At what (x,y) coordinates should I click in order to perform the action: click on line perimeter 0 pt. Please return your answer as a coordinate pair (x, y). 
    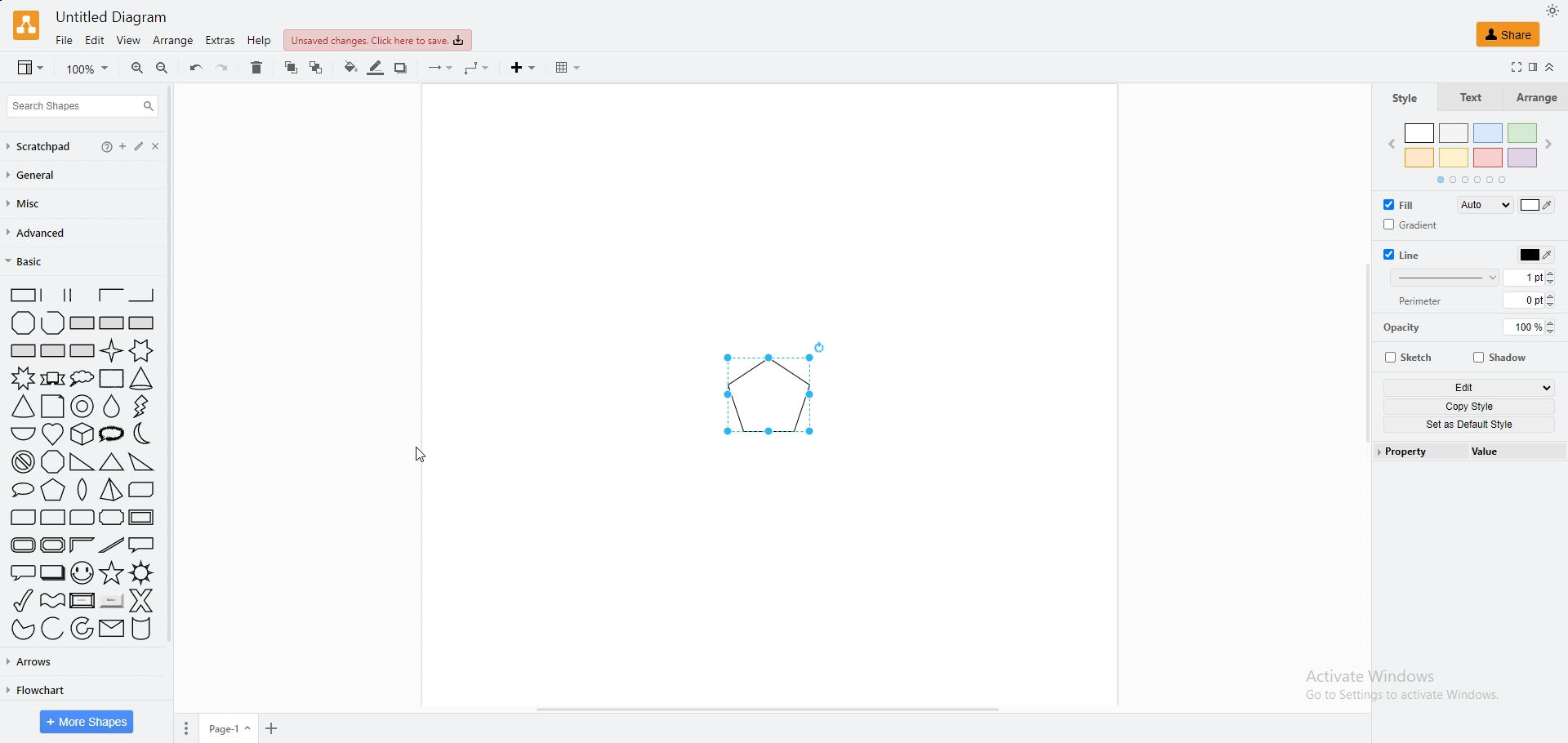
    Looking at the image, I should click on (1524, 300).